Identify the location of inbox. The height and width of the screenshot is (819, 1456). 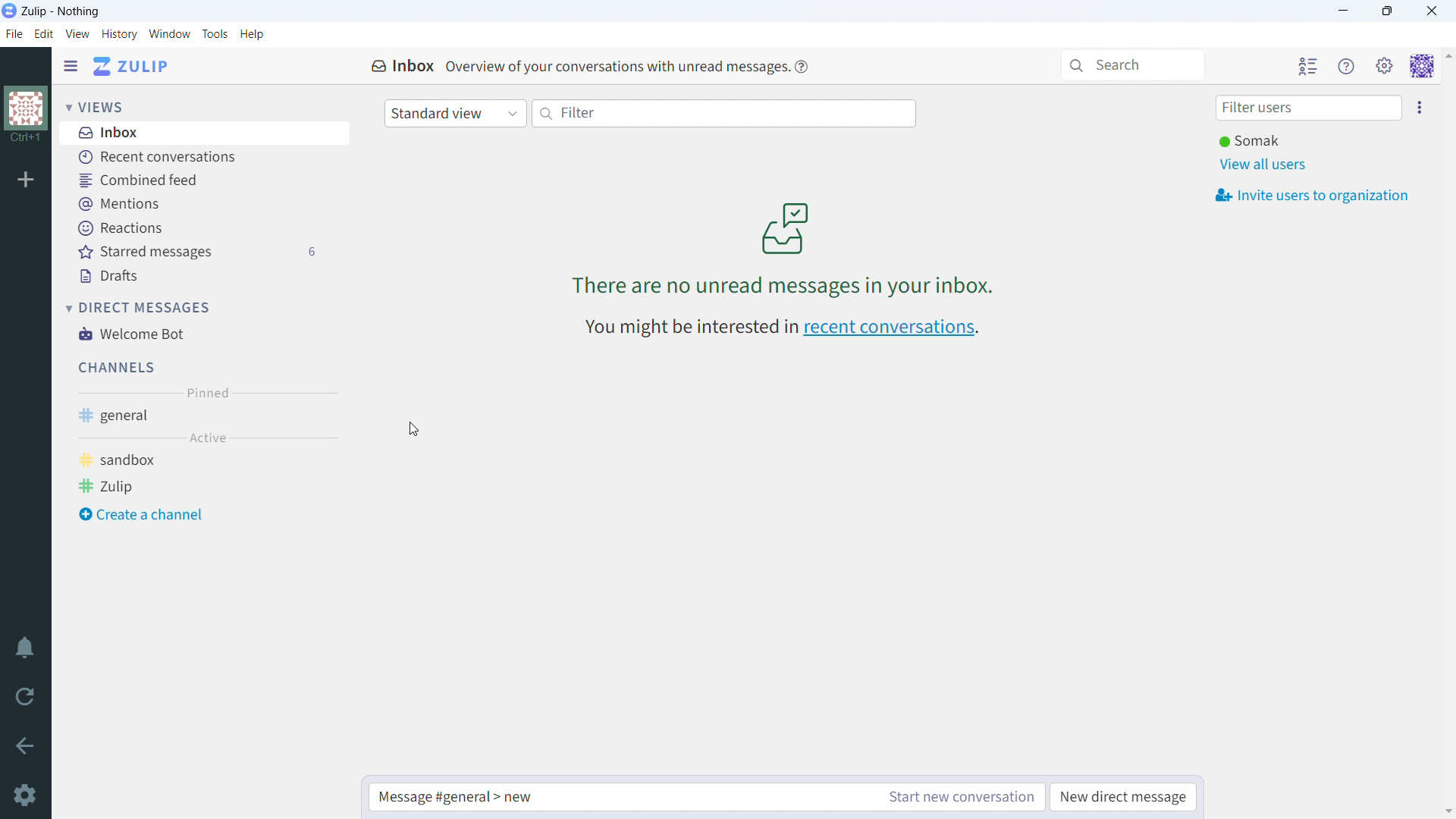
(403, 67).